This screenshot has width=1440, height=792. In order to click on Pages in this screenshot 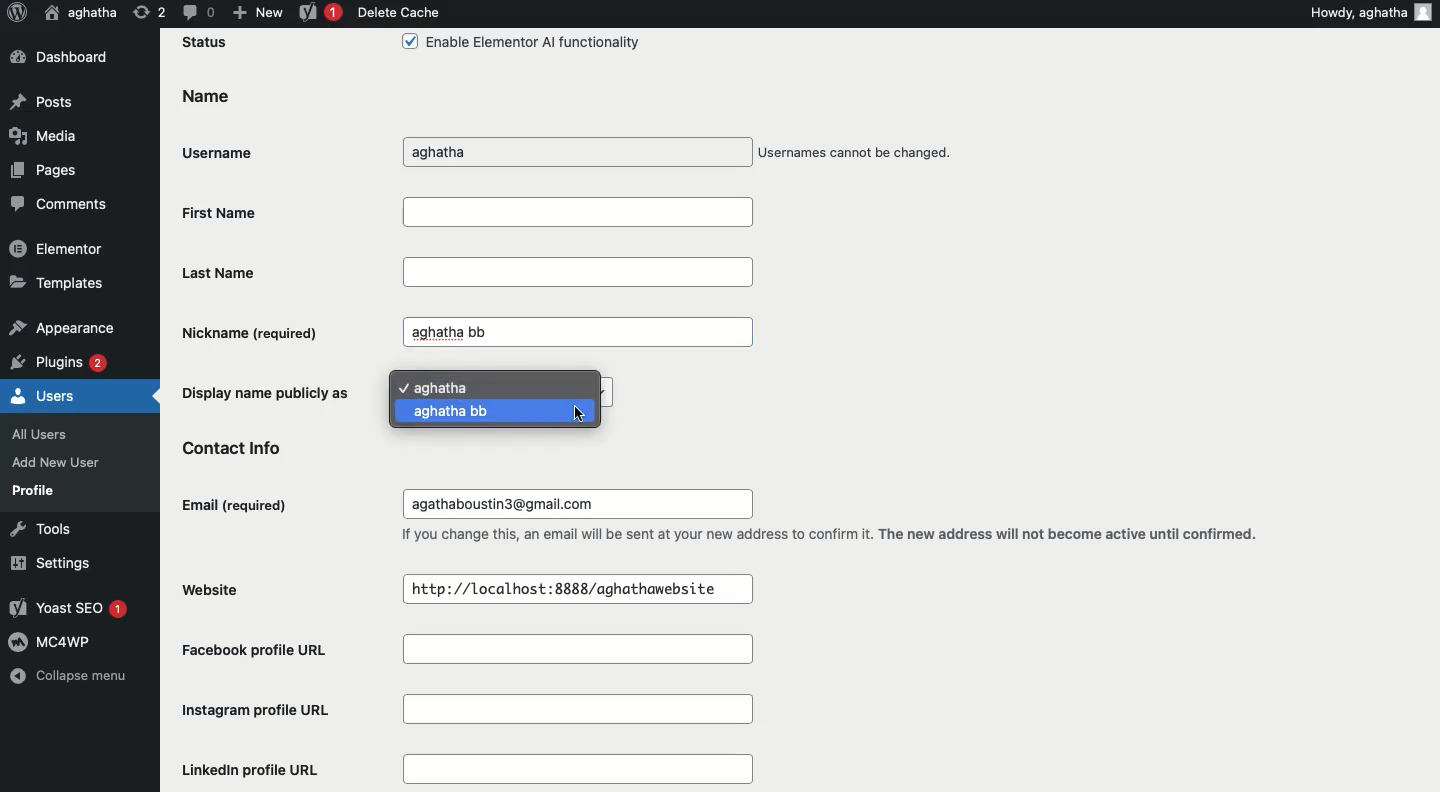, I will do `click(46, 169)`.